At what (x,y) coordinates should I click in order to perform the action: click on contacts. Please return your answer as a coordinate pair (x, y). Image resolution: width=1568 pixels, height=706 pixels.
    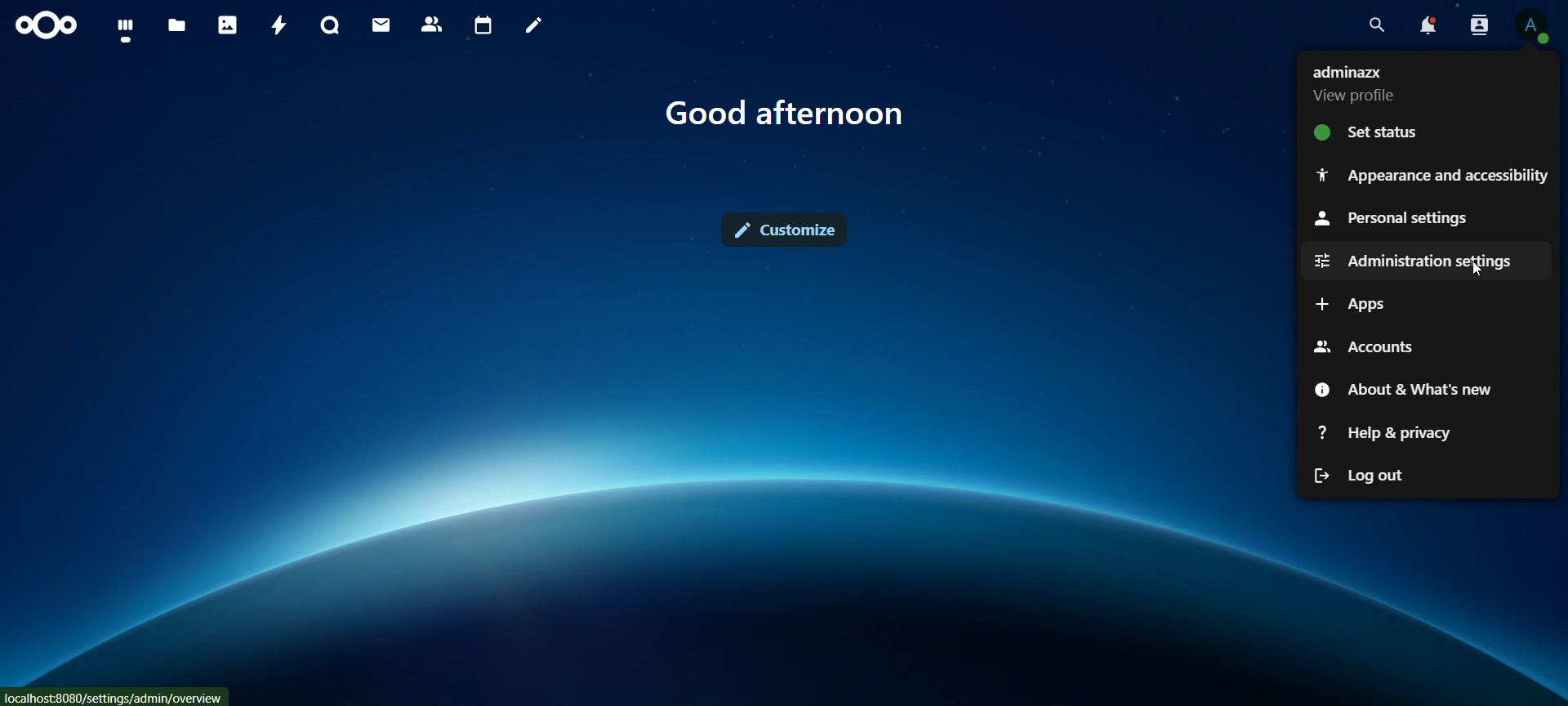
    Looking at the image, I should click on (433, 22).